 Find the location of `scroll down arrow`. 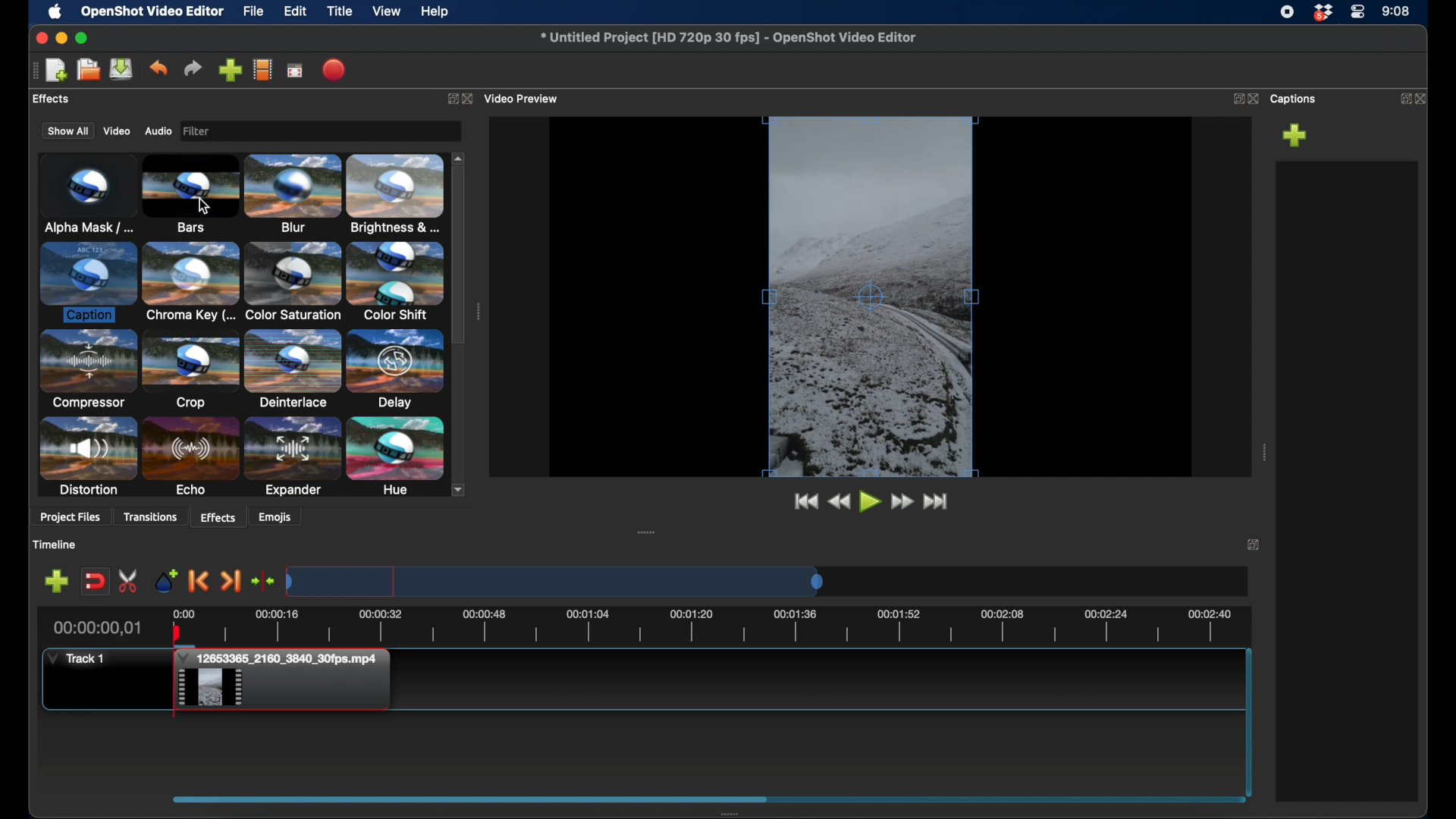

scroll down arrow is located at coordinates (463, 489).